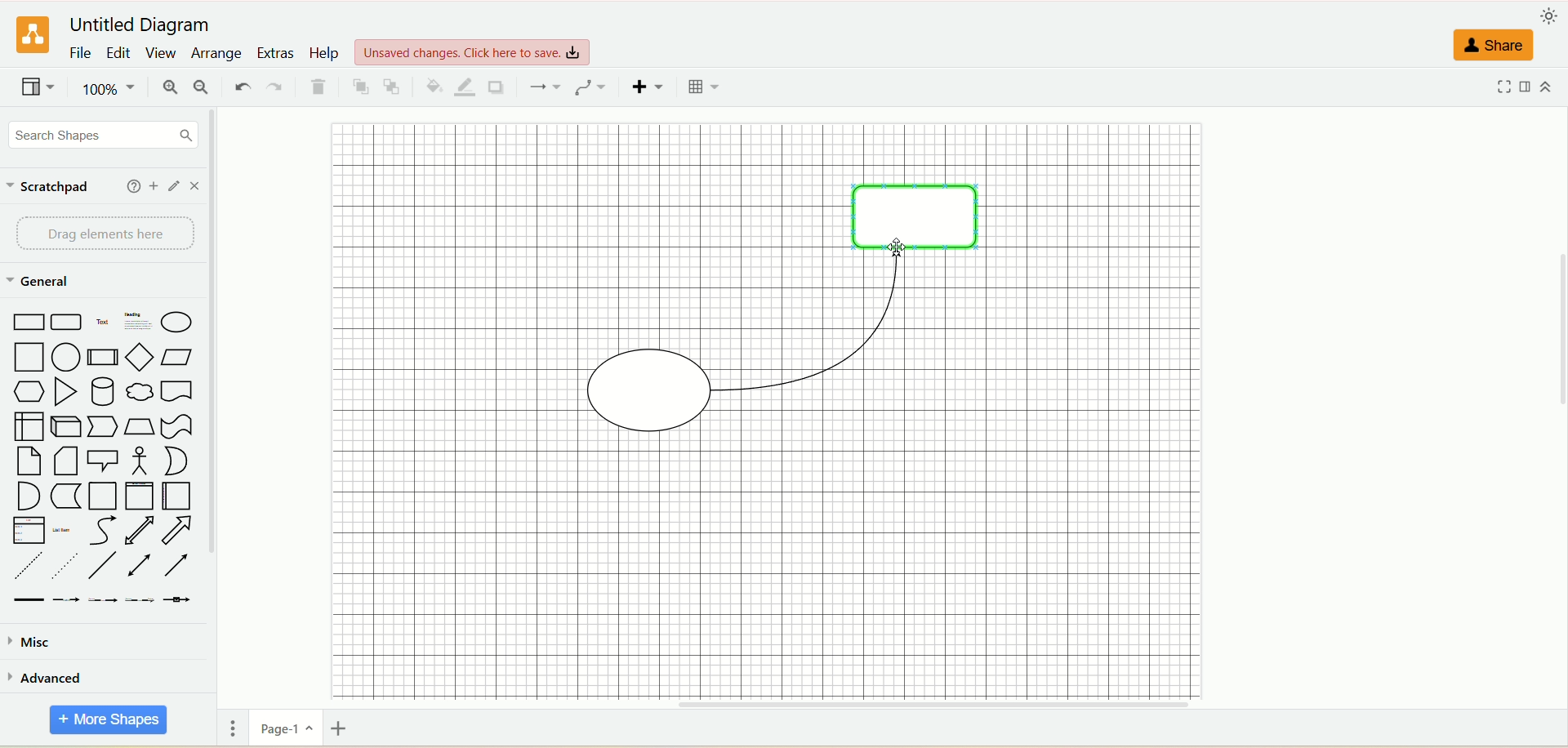 The height and width of the screenshot is (748, 1568). I want to click on zoom out, so click(203, 88).